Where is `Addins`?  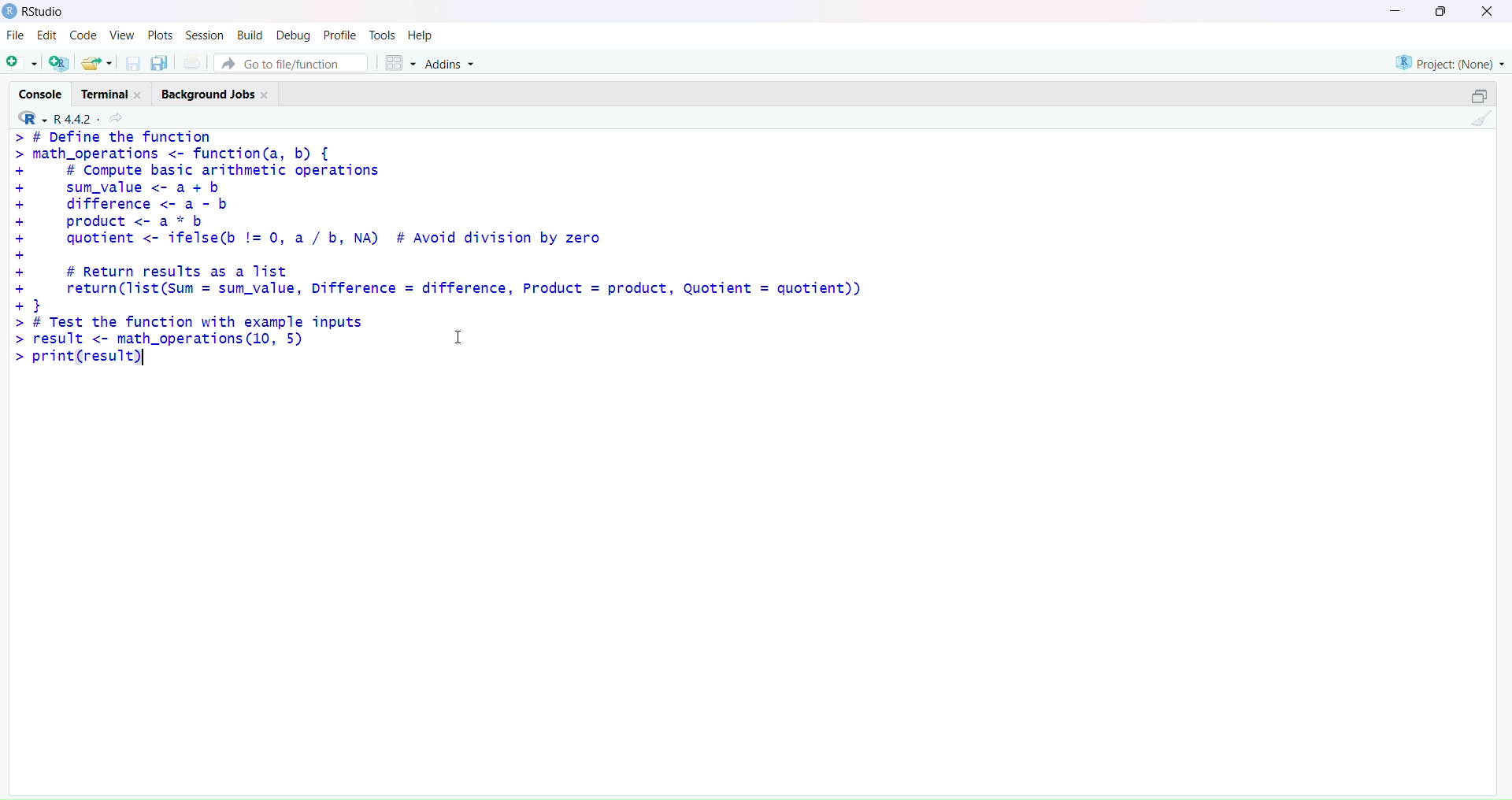 Addins is located at coordinates (451, 65).